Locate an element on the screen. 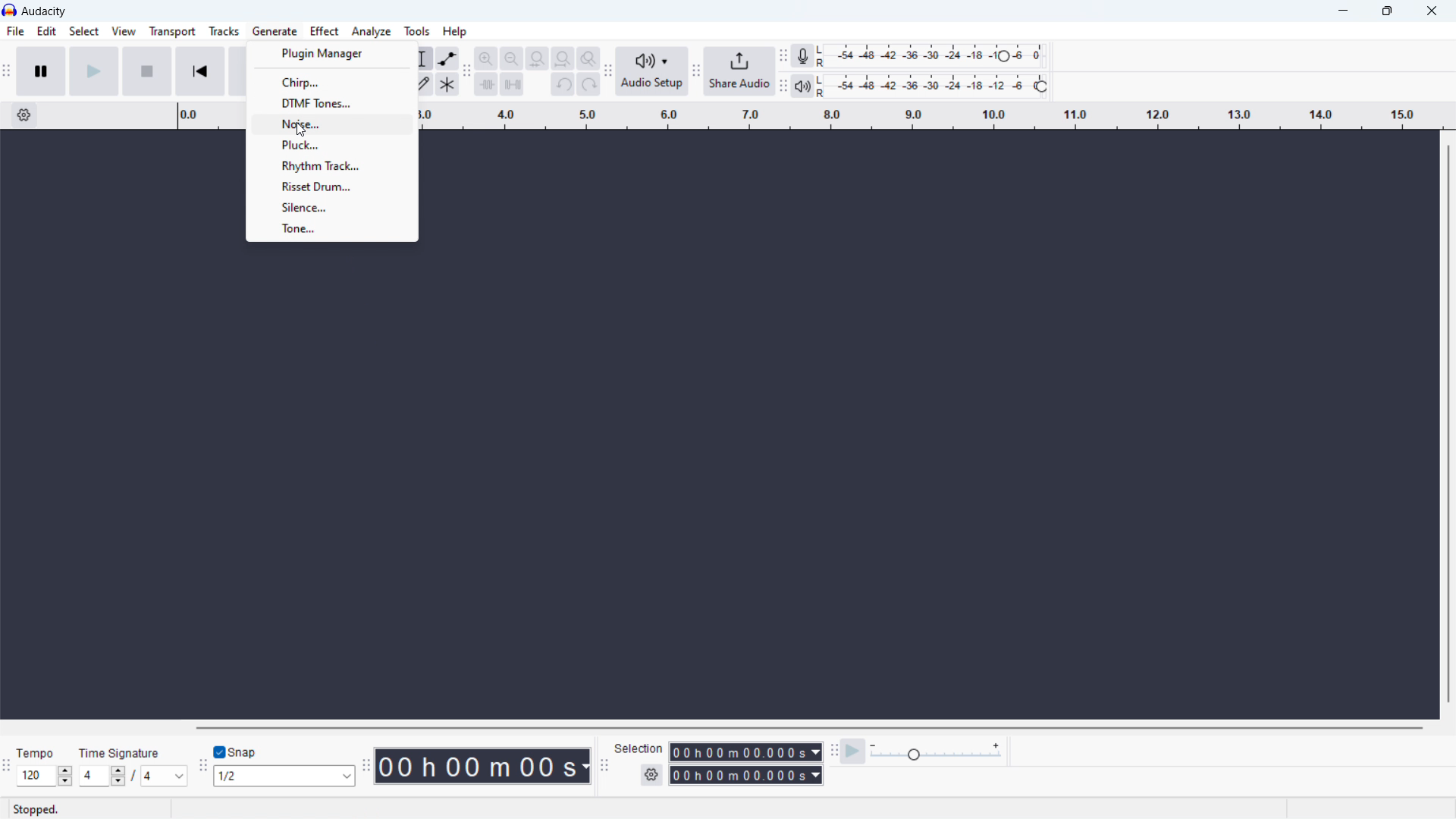  select is located at coordinates (84, 31).